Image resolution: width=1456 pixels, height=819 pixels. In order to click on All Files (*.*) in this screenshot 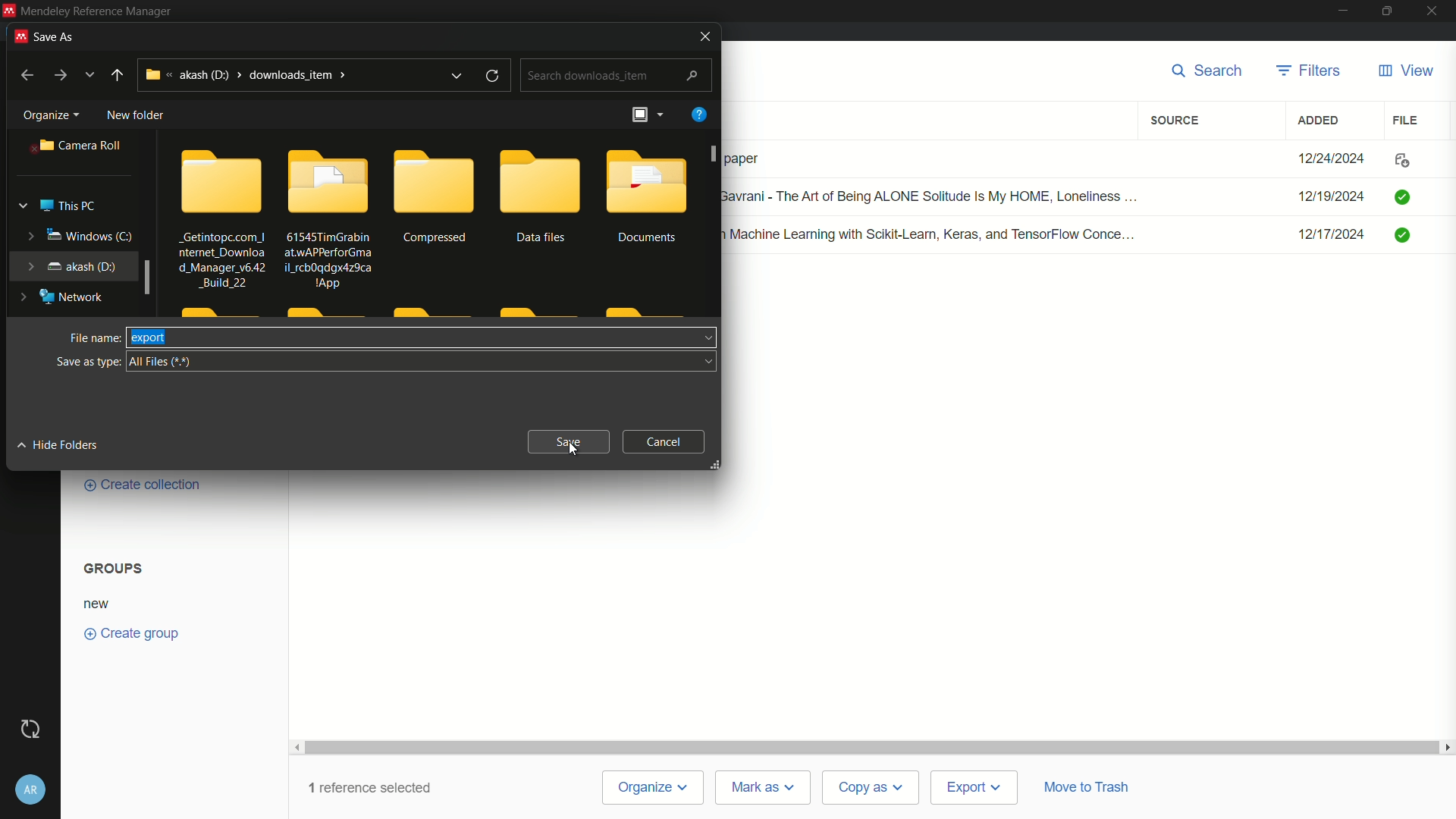, I will do `click(163, 362)`.